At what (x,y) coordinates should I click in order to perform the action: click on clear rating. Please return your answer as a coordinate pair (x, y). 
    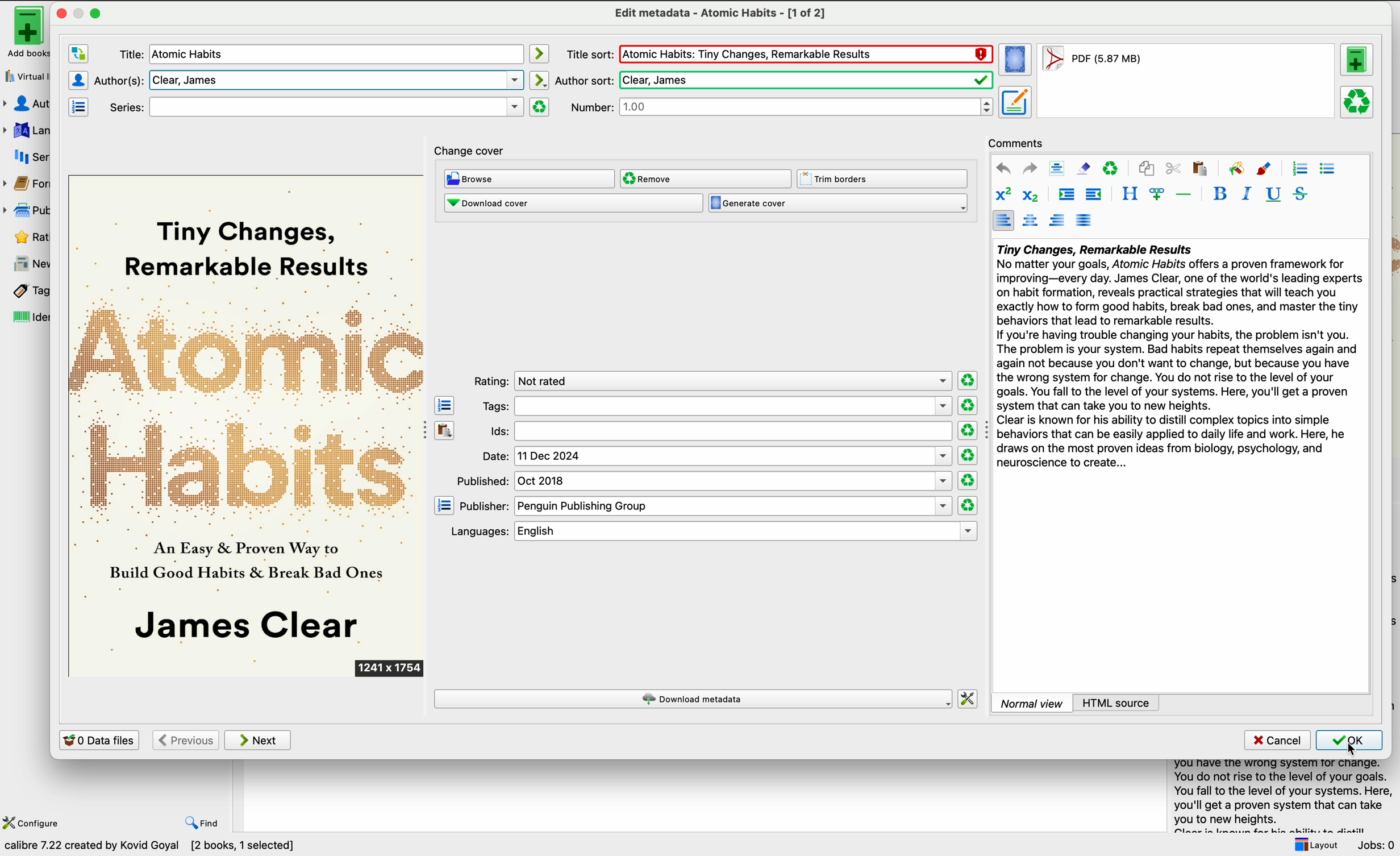
    Looking at the image, I should click on (966, 481).